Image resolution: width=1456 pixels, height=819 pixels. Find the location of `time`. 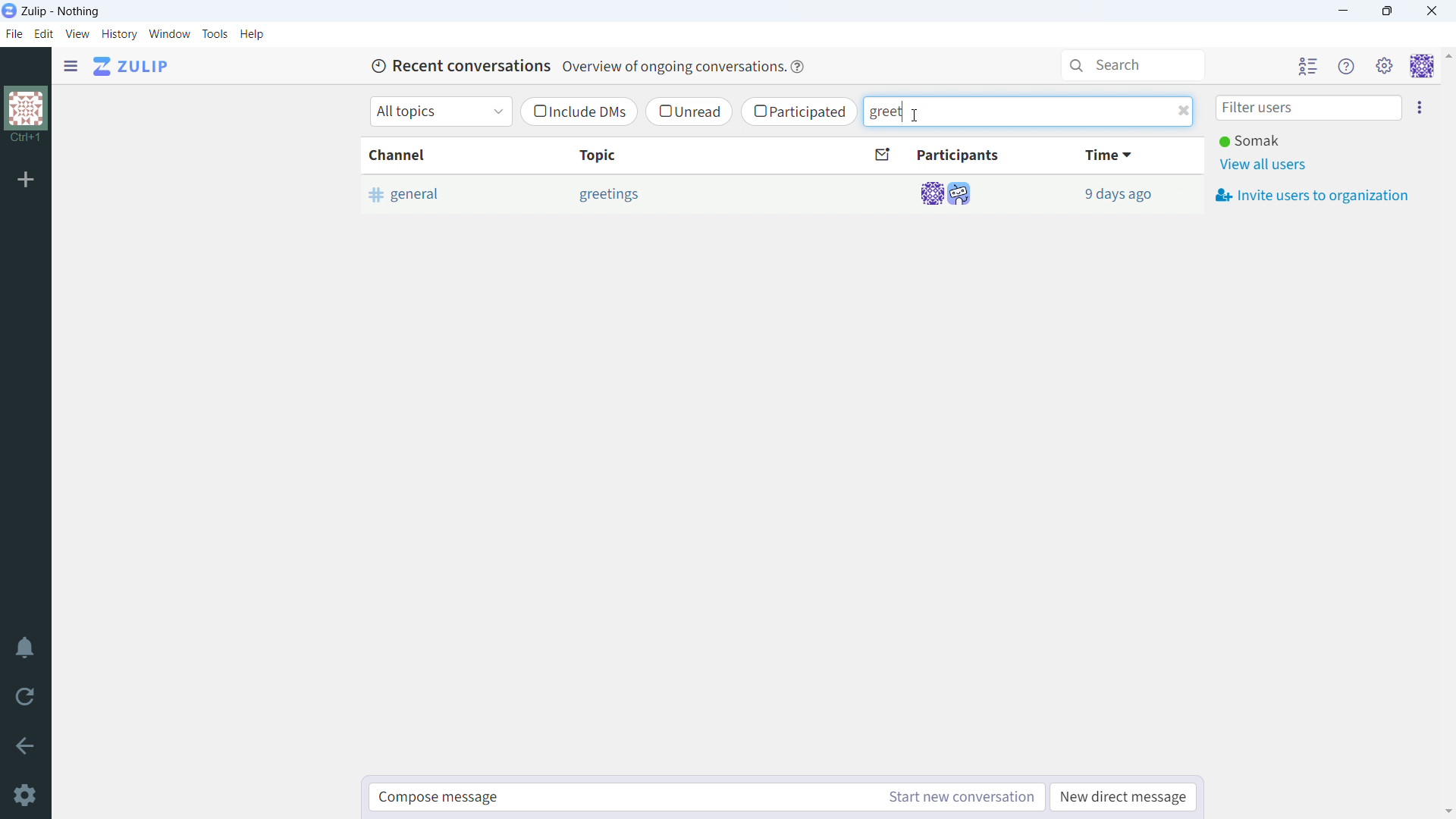

time is located at coordinates (1109, 155).